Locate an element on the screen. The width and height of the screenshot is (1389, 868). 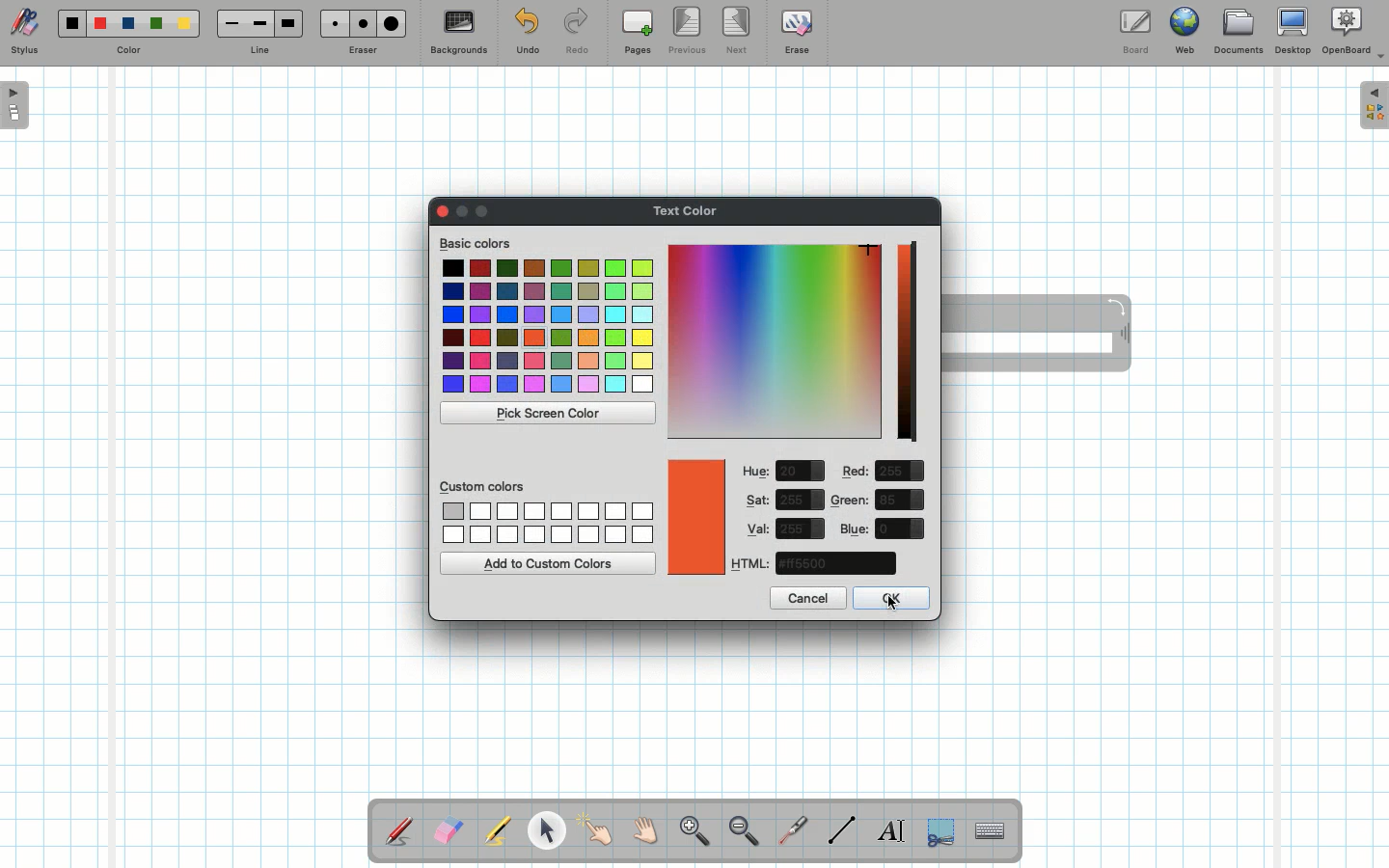
Zoom out is located at coordinates (744, 832).